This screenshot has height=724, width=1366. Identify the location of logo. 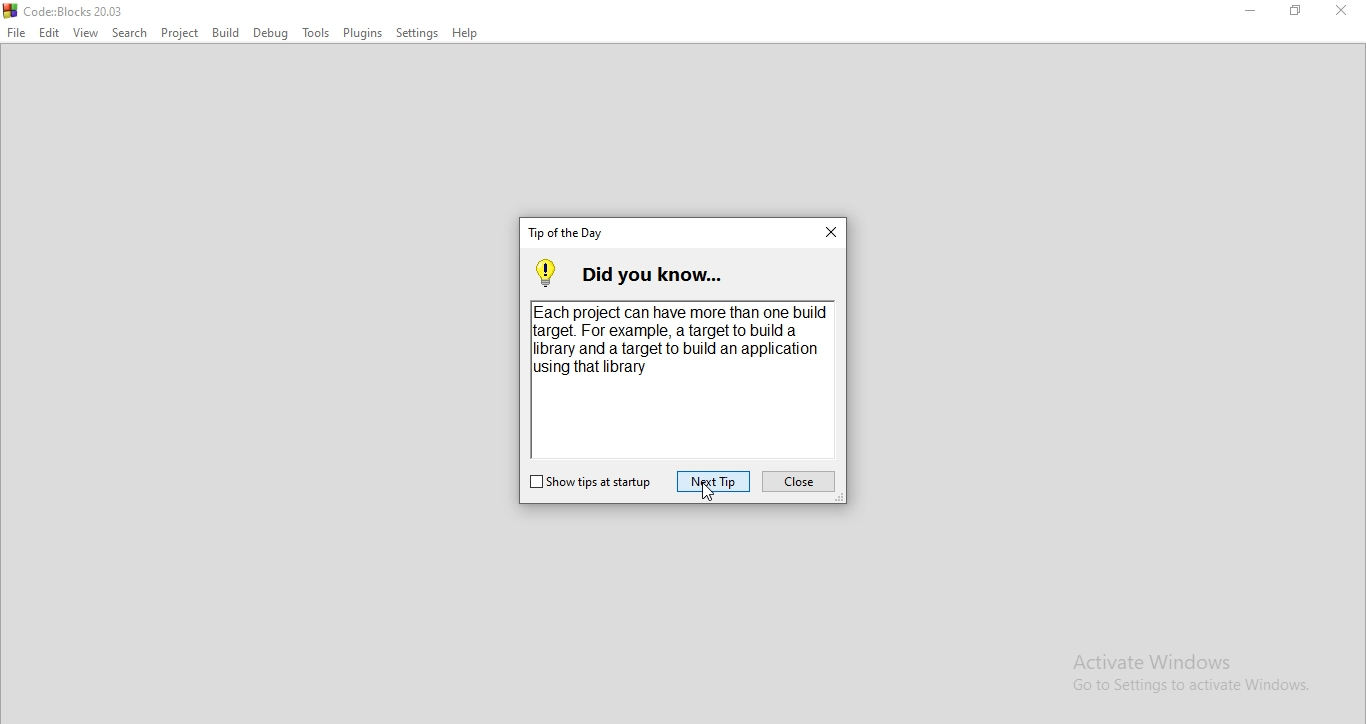
(64, 9).